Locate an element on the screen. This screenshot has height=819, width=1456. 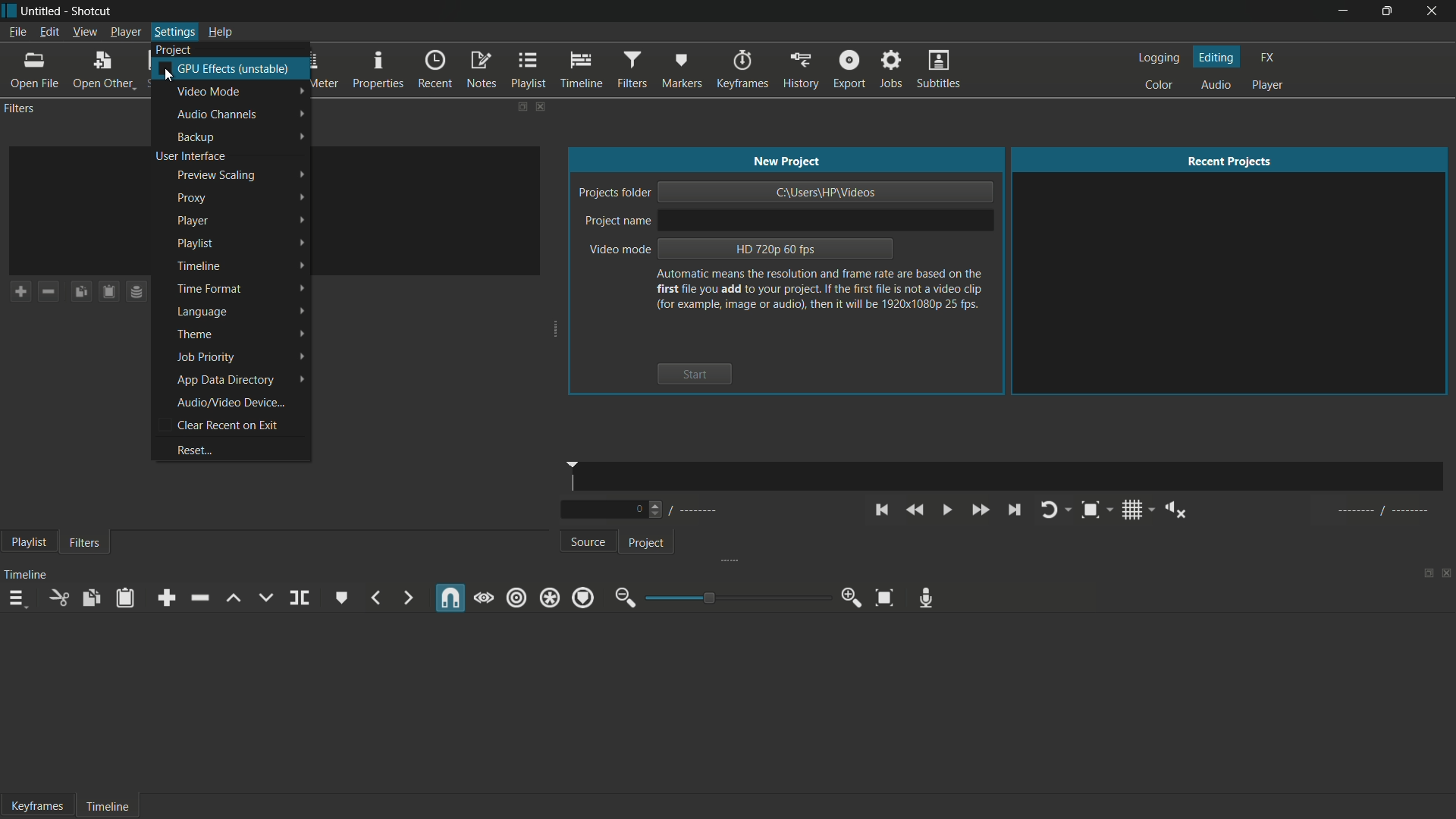
overwrite is located at coordinates (265, 598).